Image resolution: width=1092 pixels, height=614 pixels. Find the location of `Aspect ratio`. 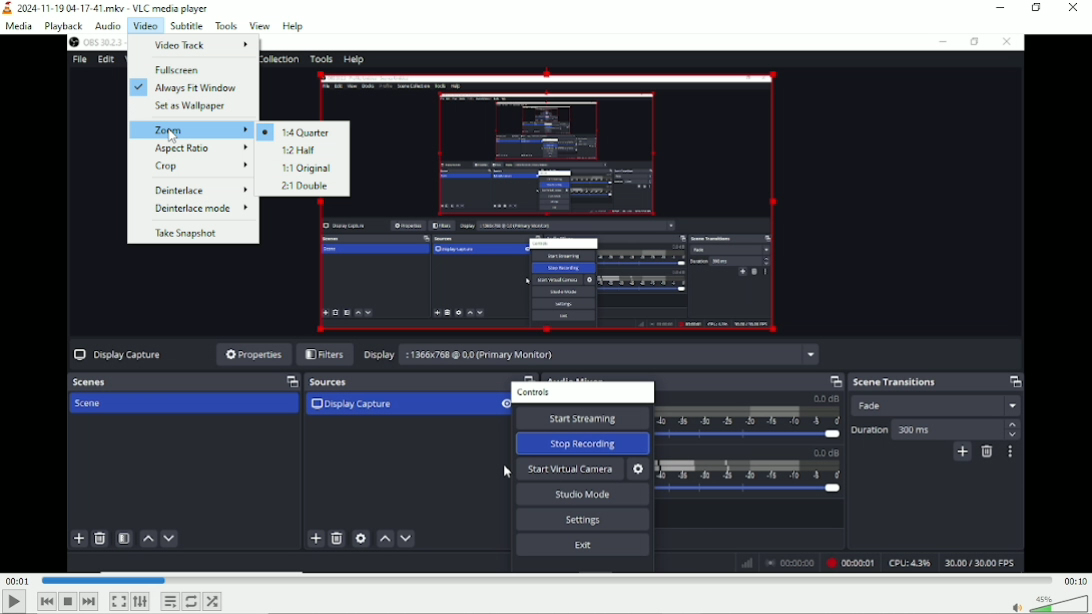

Aspect ratio is located at coordinates (201, 148).